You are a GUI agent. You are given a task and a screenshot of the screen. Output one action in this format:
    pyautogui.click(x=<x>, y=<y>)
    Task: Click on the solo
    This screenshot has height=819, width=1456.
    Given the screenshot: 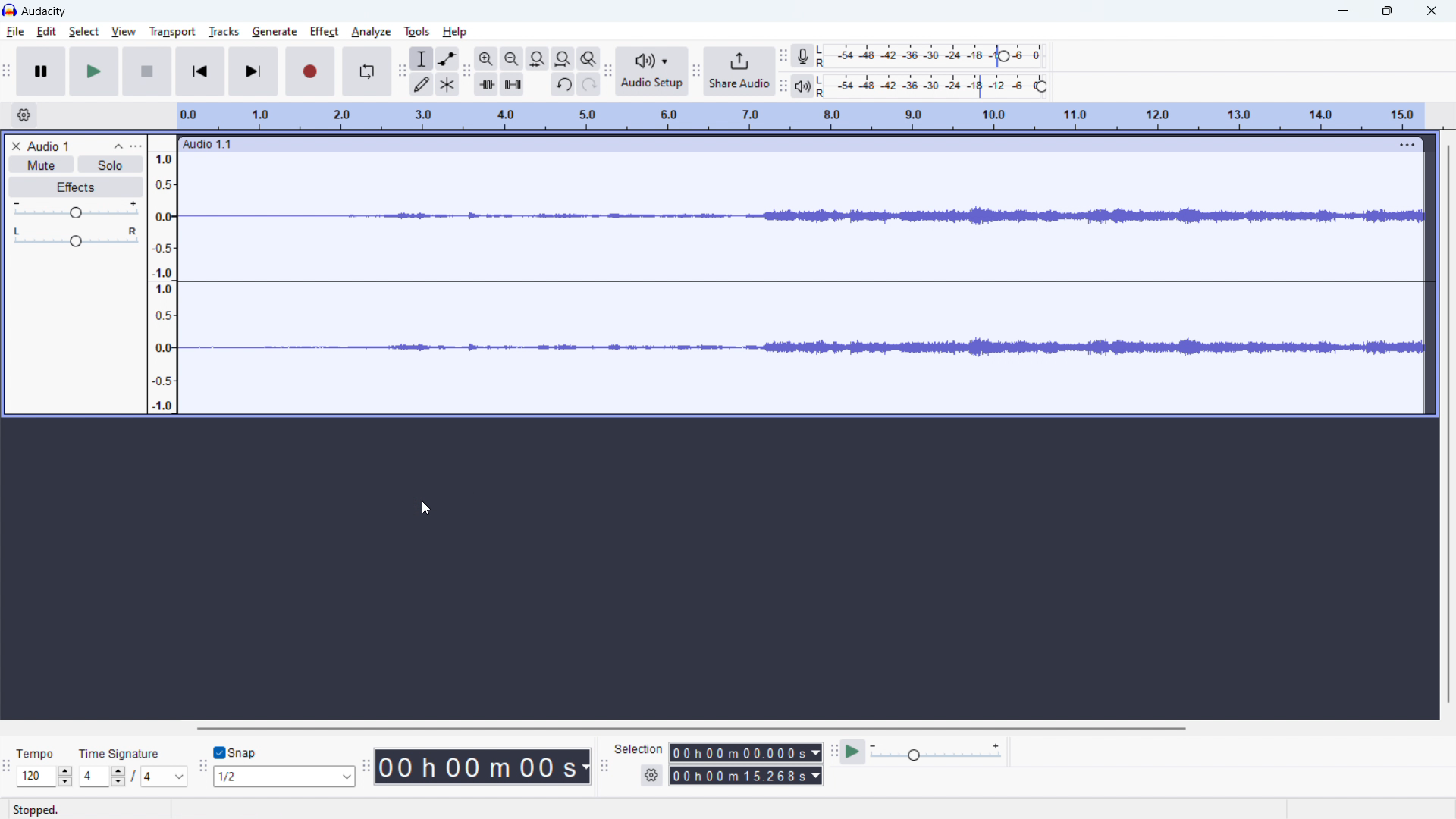 What is the action you would take?
    pyautogui.click(x=111, y=164)
    